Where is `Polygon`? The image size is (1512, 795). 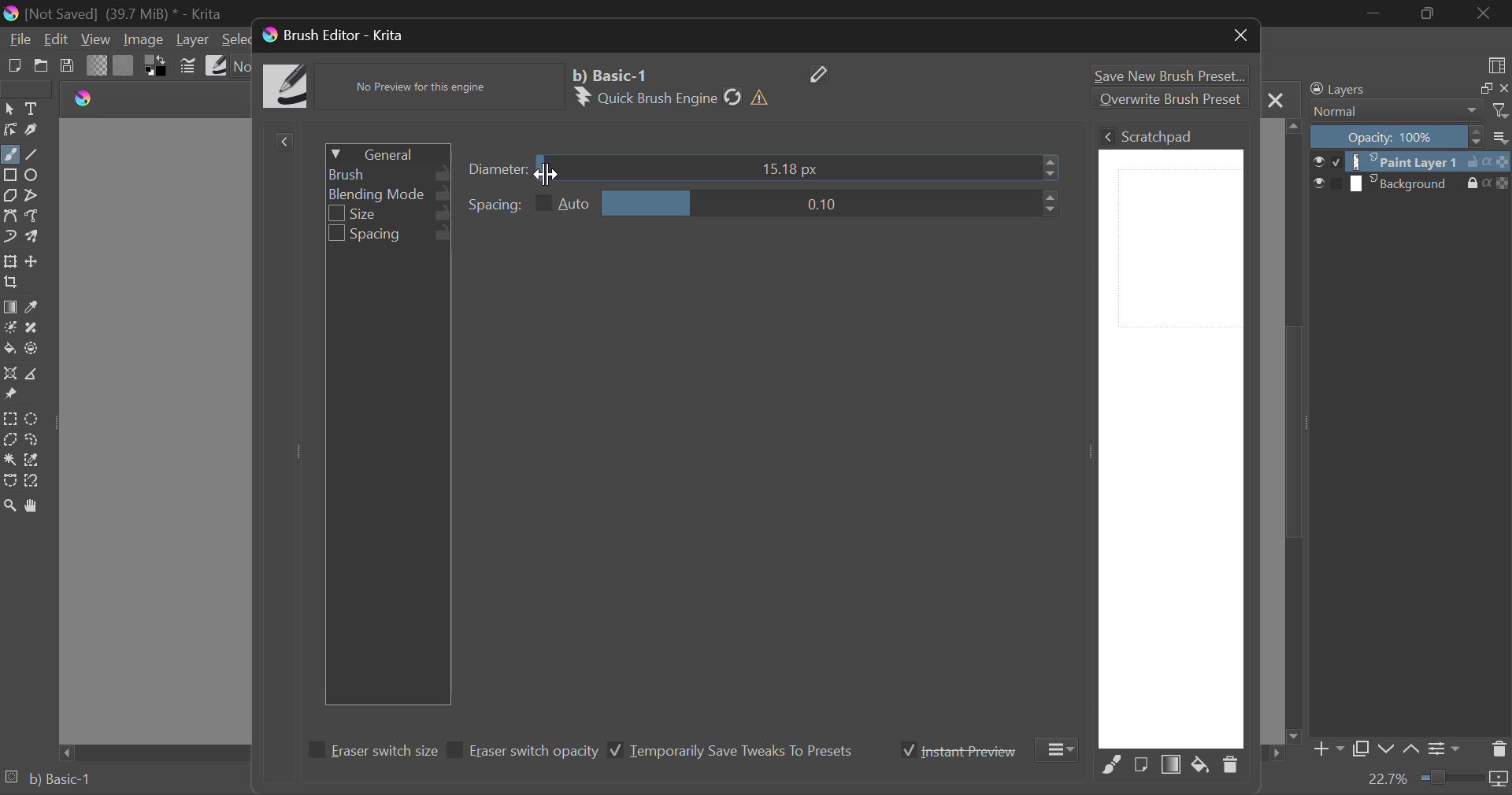 Polygon is located at coordinates (11, 196).